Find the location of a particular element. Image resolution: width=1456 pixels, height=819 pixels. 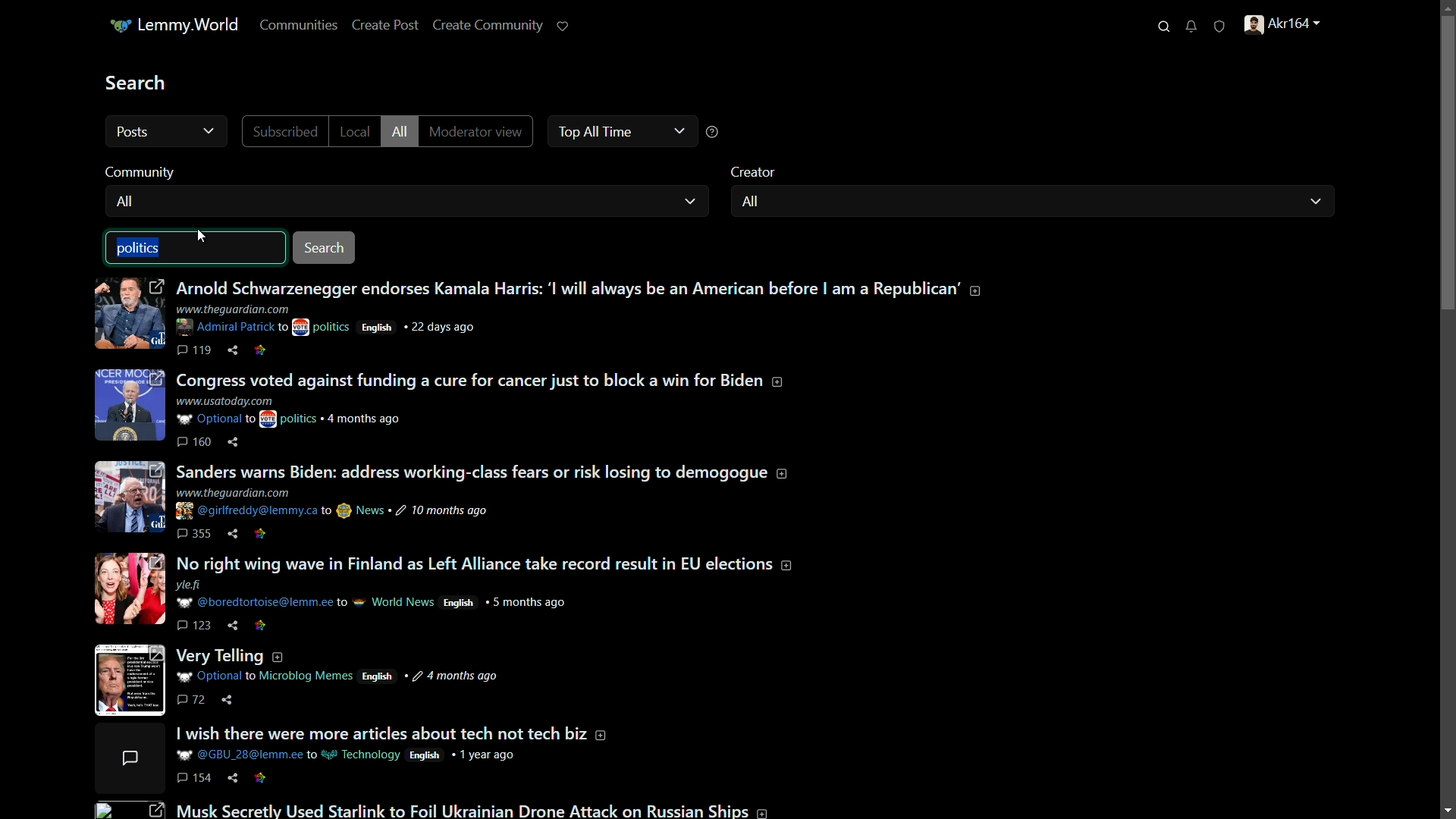

dropdown is located at coordinates (680, 131).